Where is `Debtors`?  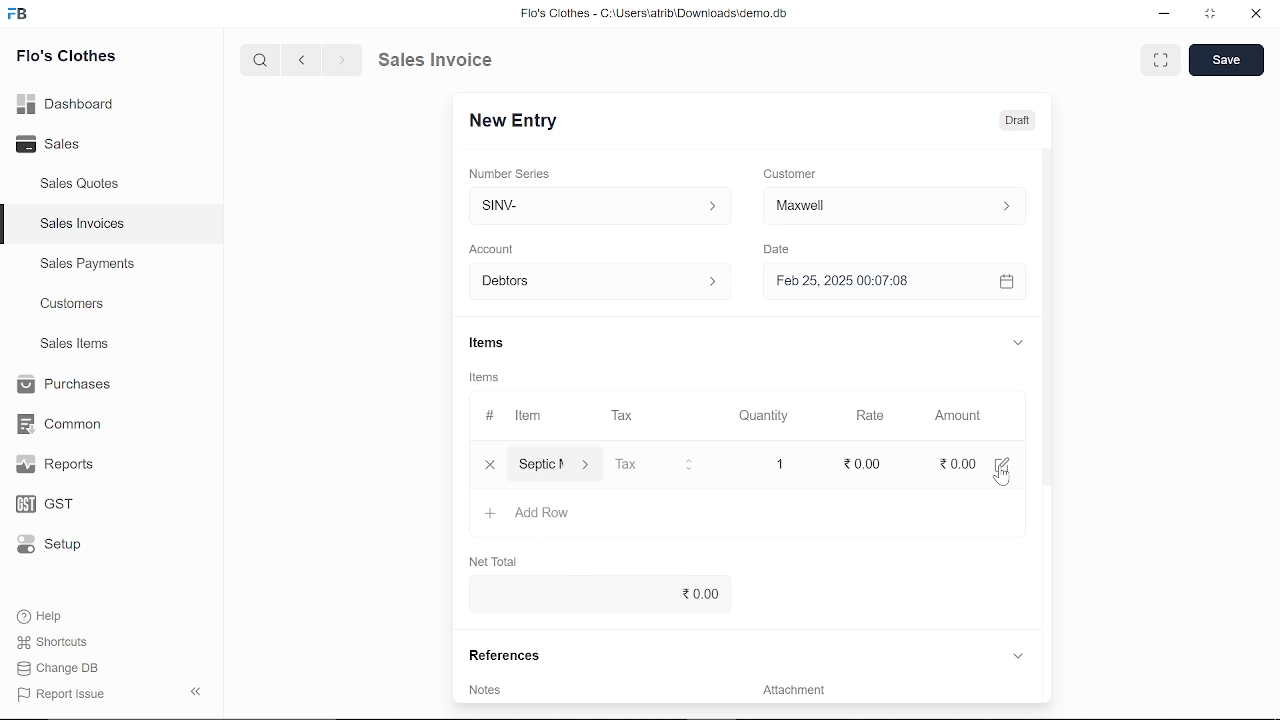
Debtors is located at coordinates (596, 281).